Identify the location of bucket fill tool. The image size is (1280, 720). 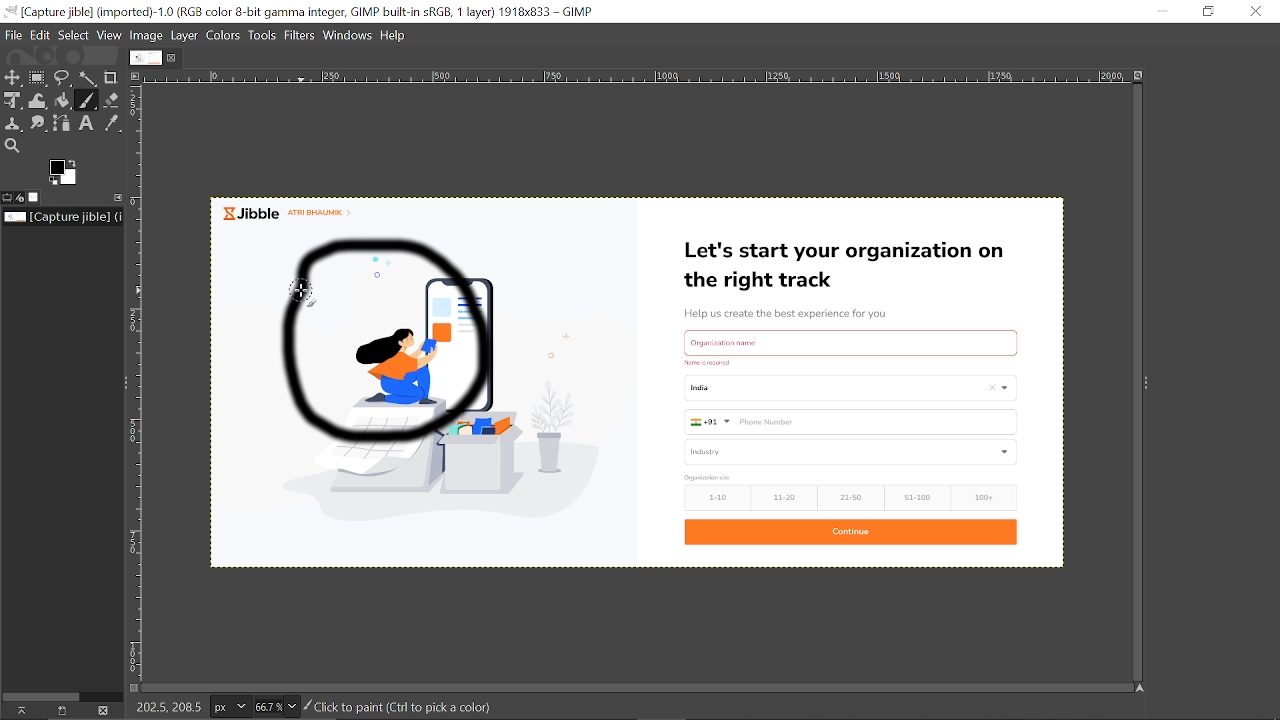
(63, 102).